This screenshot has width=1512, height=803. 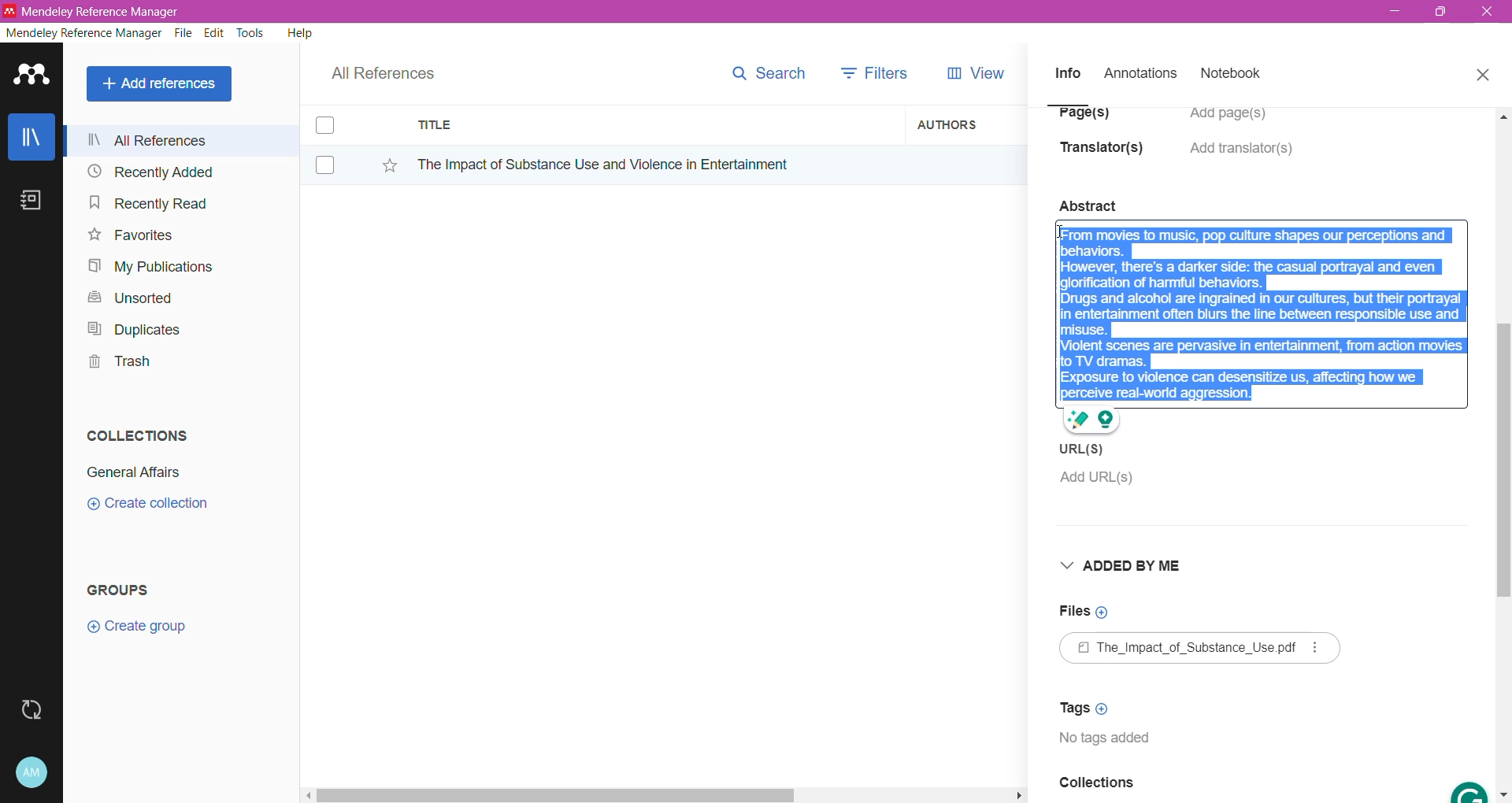 What do you see at coordinates (129, 235) in the screenshot?
I see `Favorites` at bounding box center [129, 235].